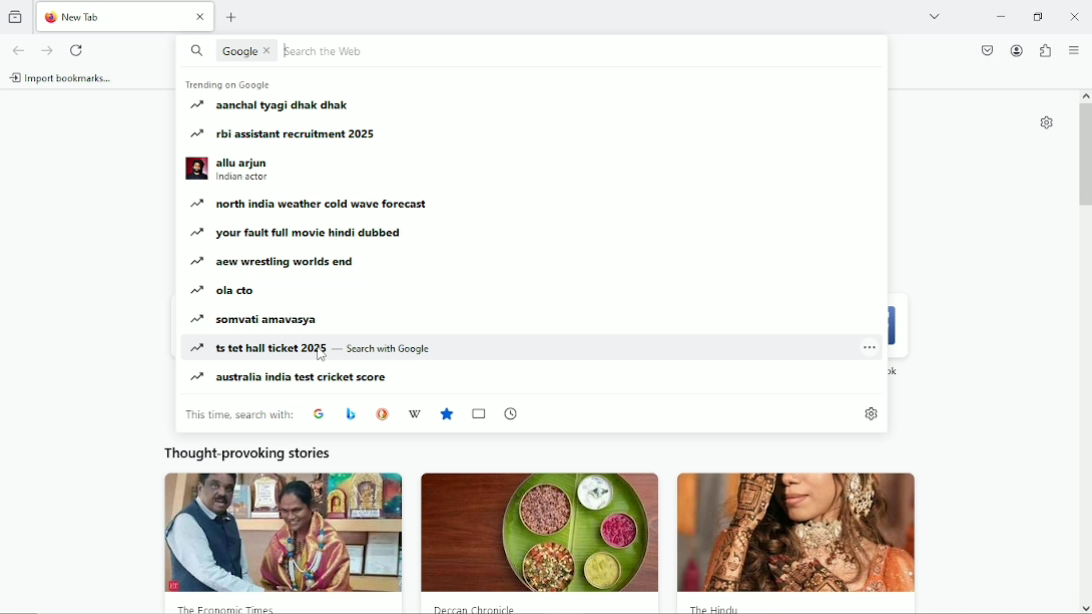  What do you see at coordinates (15, 17) in the screenshot?
I see `view recent browsing` at bounding box center [15, 17].